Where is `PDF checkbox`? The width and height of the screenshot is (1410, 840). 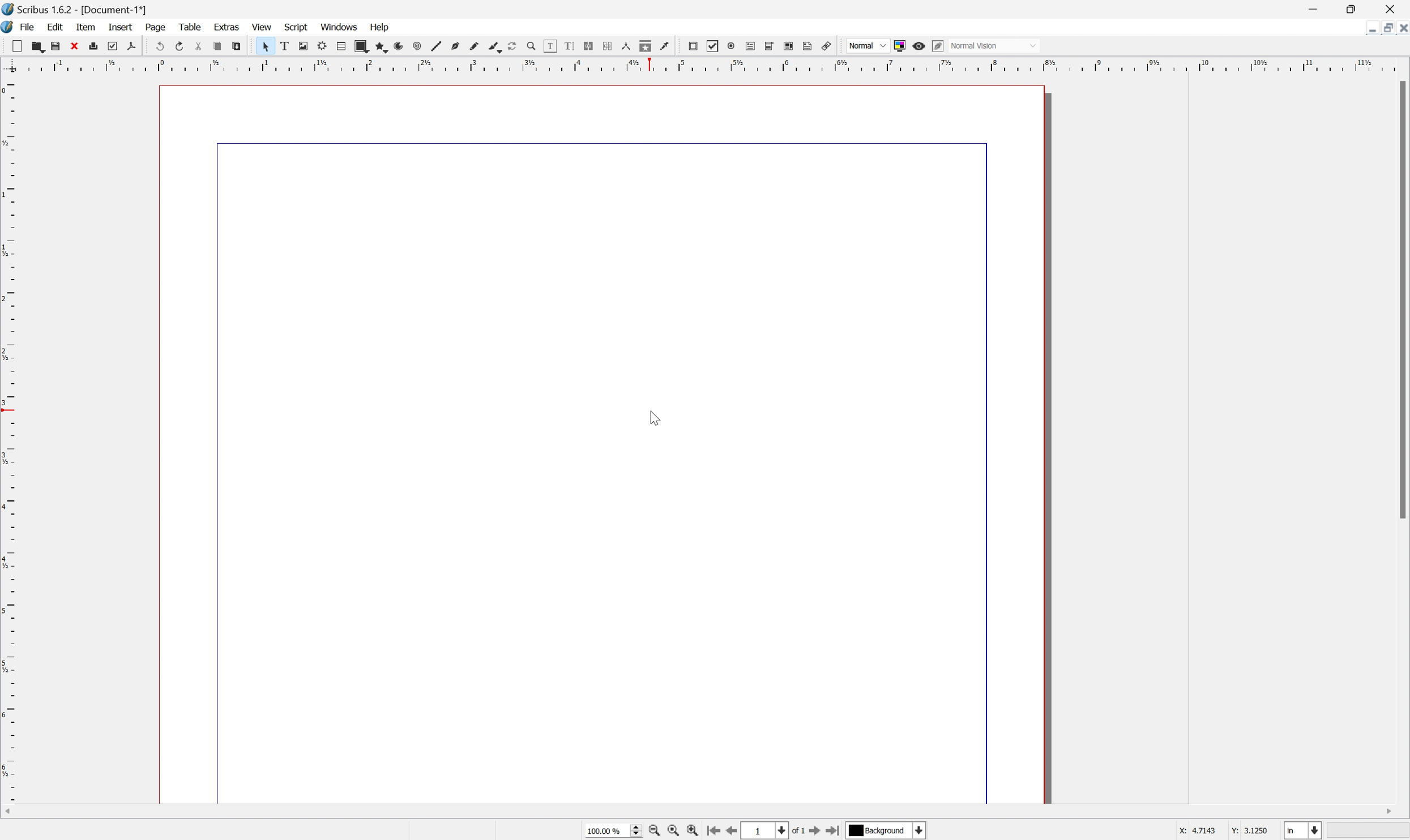
PDF checkbox is located at coordinates (712, 46).